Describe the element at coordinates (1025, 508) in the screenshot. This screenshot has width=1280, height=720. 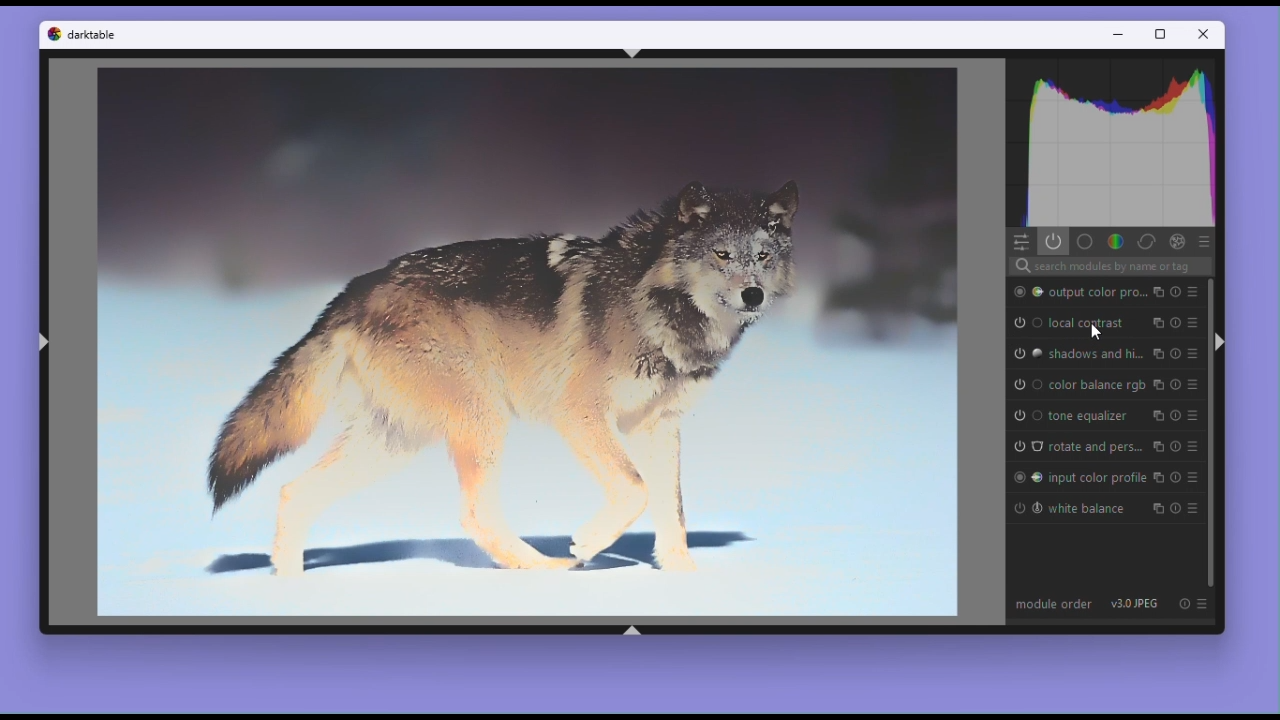
I see `'white balance' switched off` at that location.